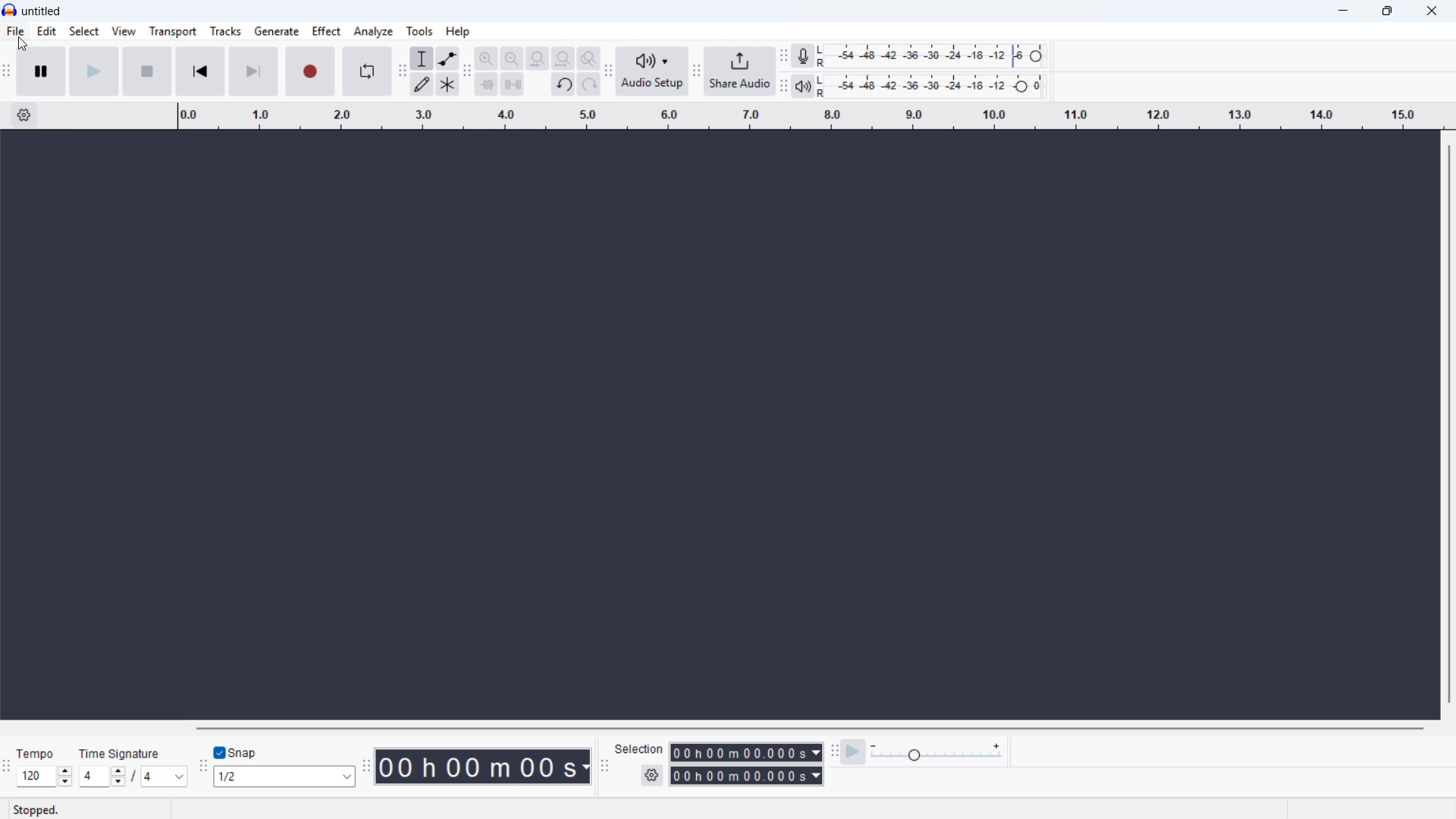  I want to click on Skip to start , so click(199, 72).